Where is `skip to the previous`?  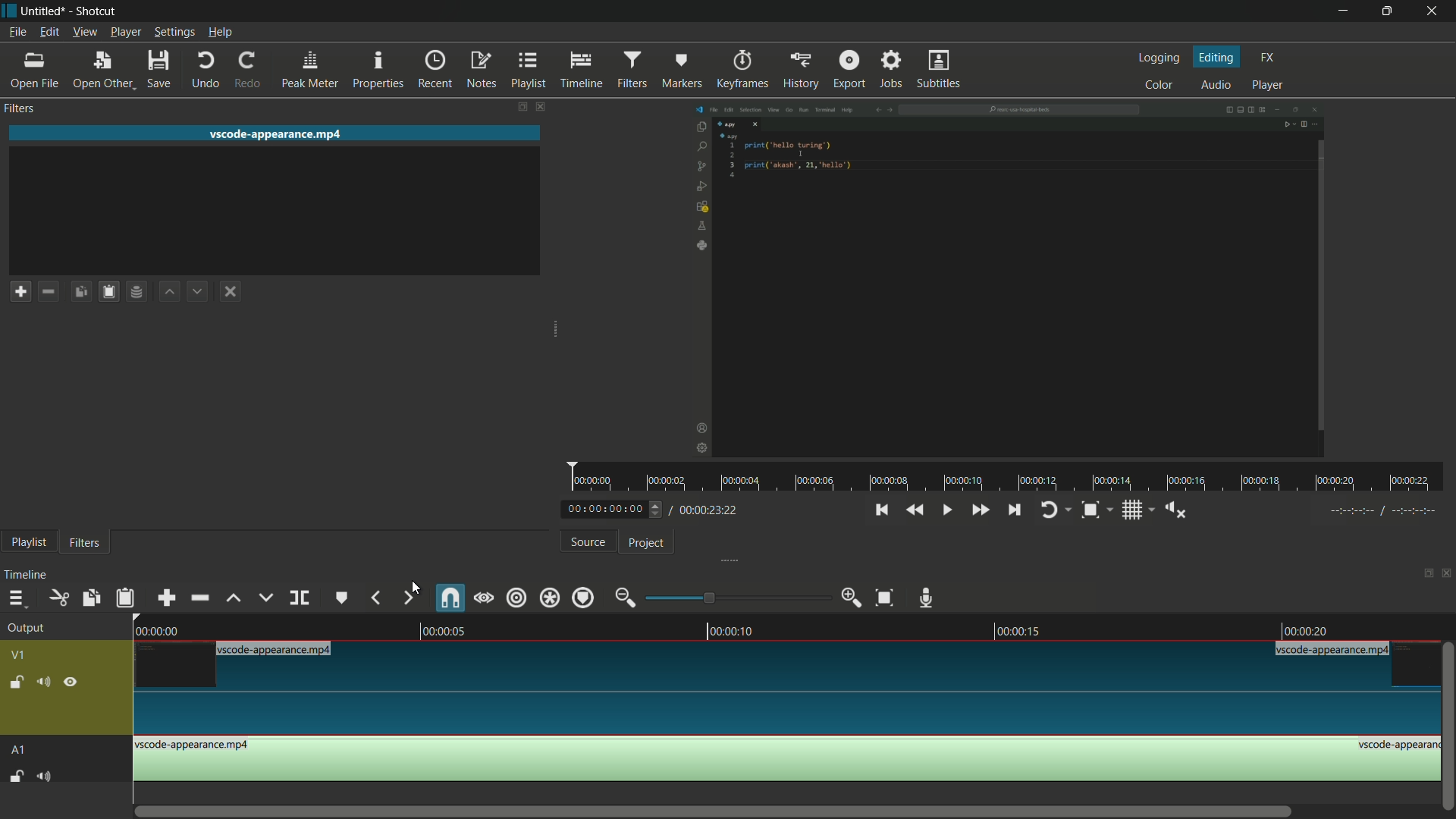
skip to the previous is located at coordinates (882, 510).